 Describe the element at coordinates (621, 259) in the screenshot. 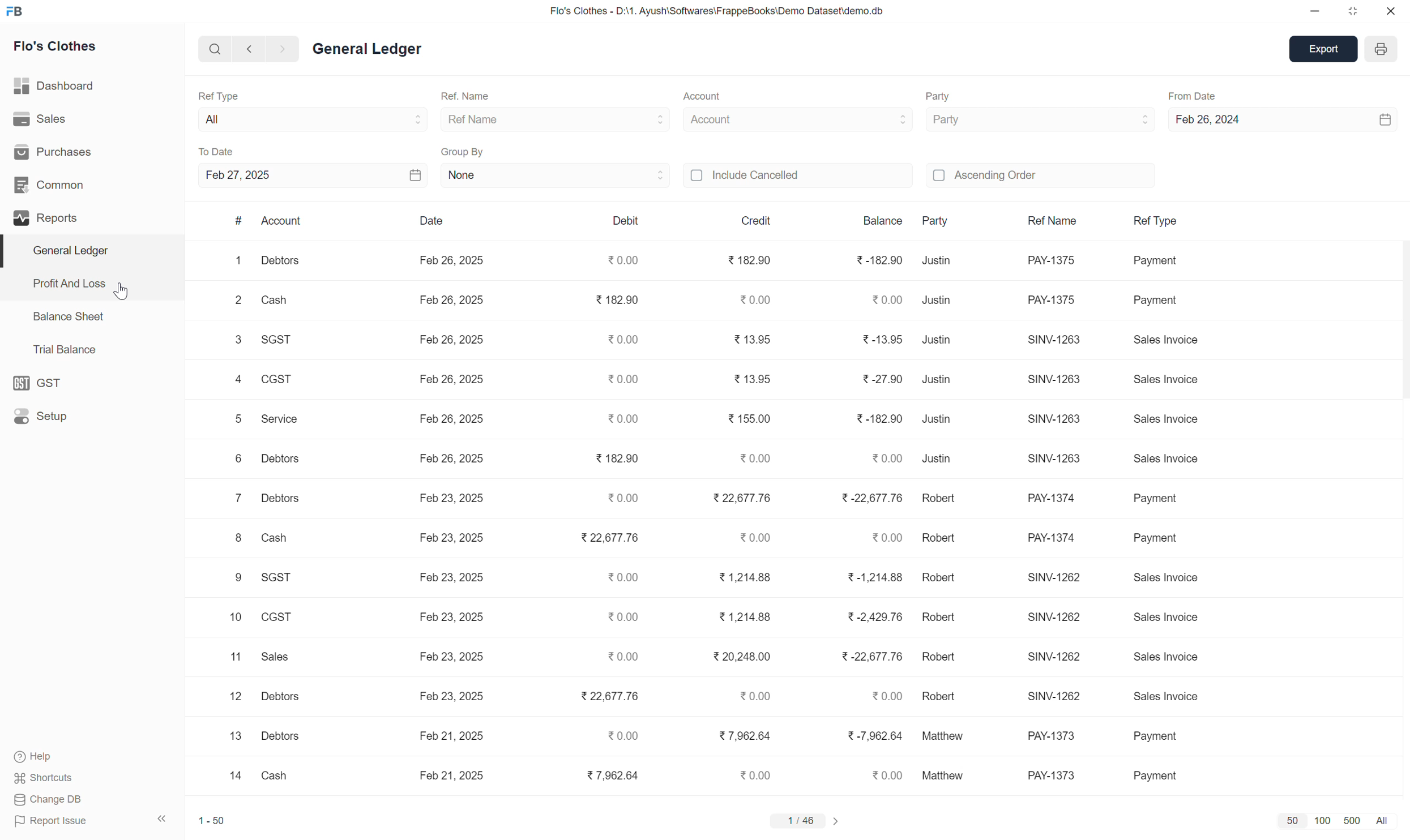

I see `₹ 0.00` at that location.